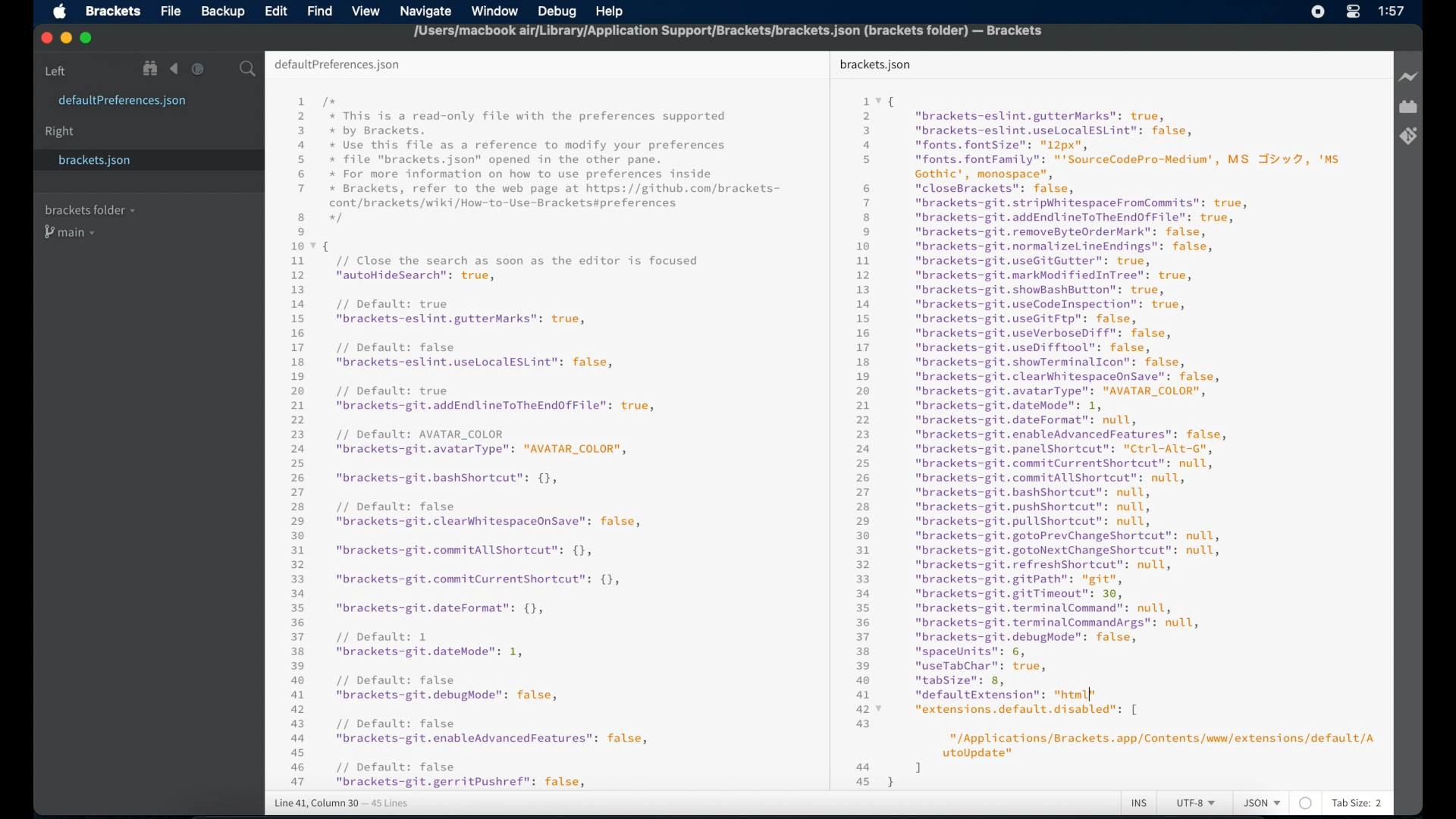 Image resolution: width=1456 pixels, height=819 pixels. What do you see at coordinates (171, 11) in the screenshot?
I see `file` at bounding box center [171, 11].